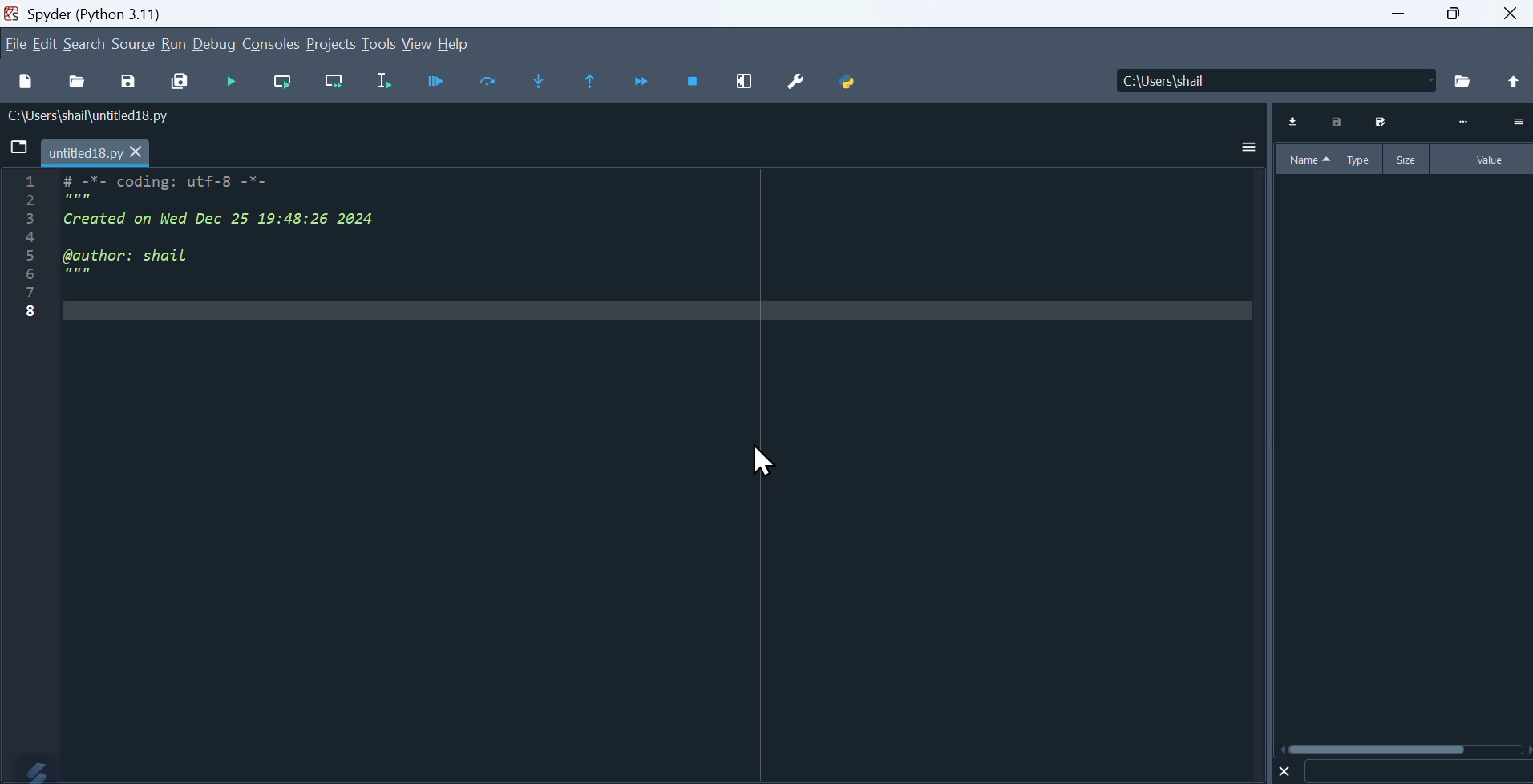 The image size is (1533, 784). What do you see at coordinates (435, 81) in the screenshot?
I see `Debugger` at bounding box center [435, 81].